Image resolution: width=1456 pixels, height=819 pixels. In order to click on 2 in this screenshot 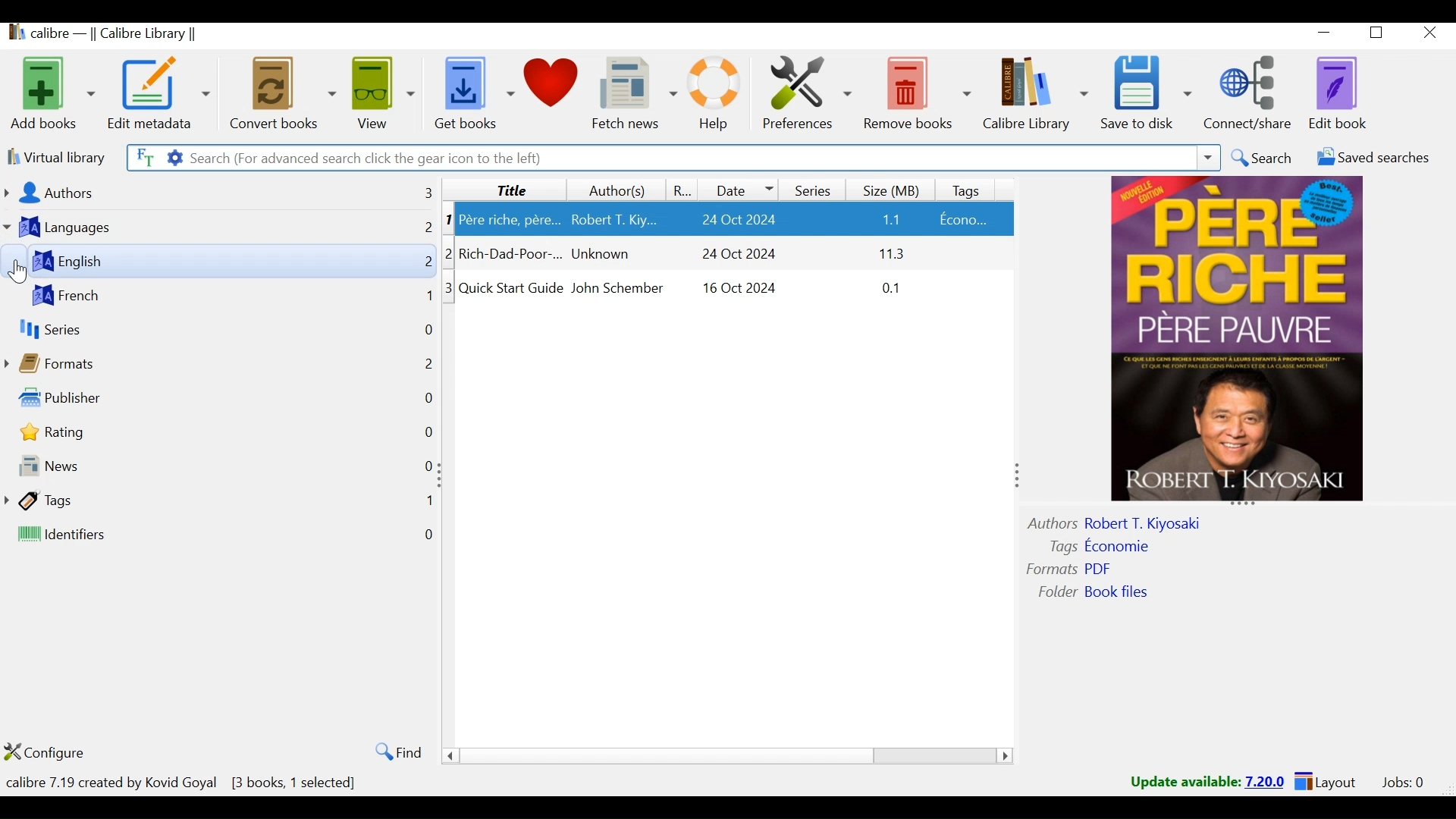, I will do `click(424, 263)`.